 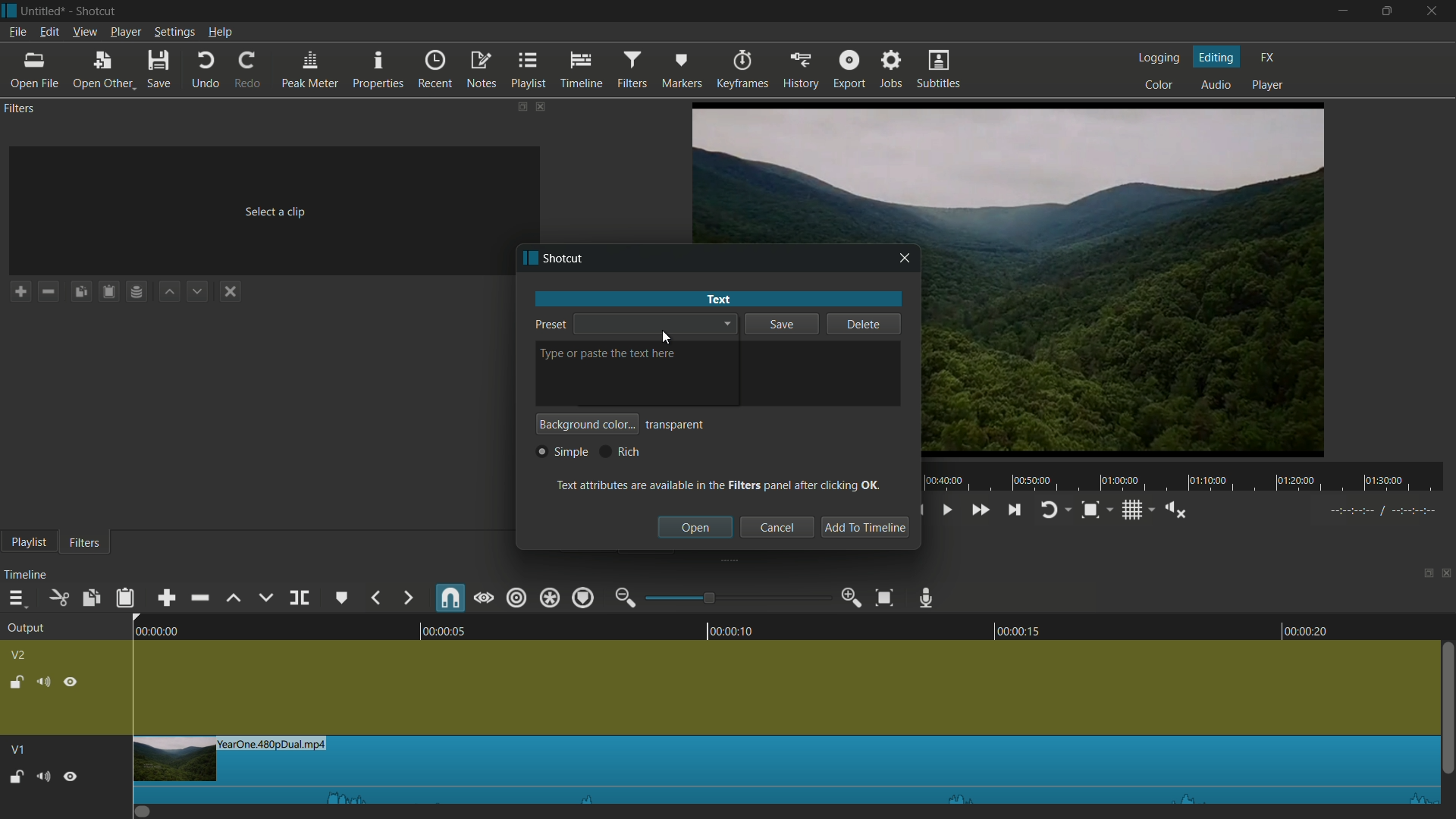 What do you see at coordinates (435, 628) in the screenshot?
I see `00:00:05` at bounding box center [435, 628].